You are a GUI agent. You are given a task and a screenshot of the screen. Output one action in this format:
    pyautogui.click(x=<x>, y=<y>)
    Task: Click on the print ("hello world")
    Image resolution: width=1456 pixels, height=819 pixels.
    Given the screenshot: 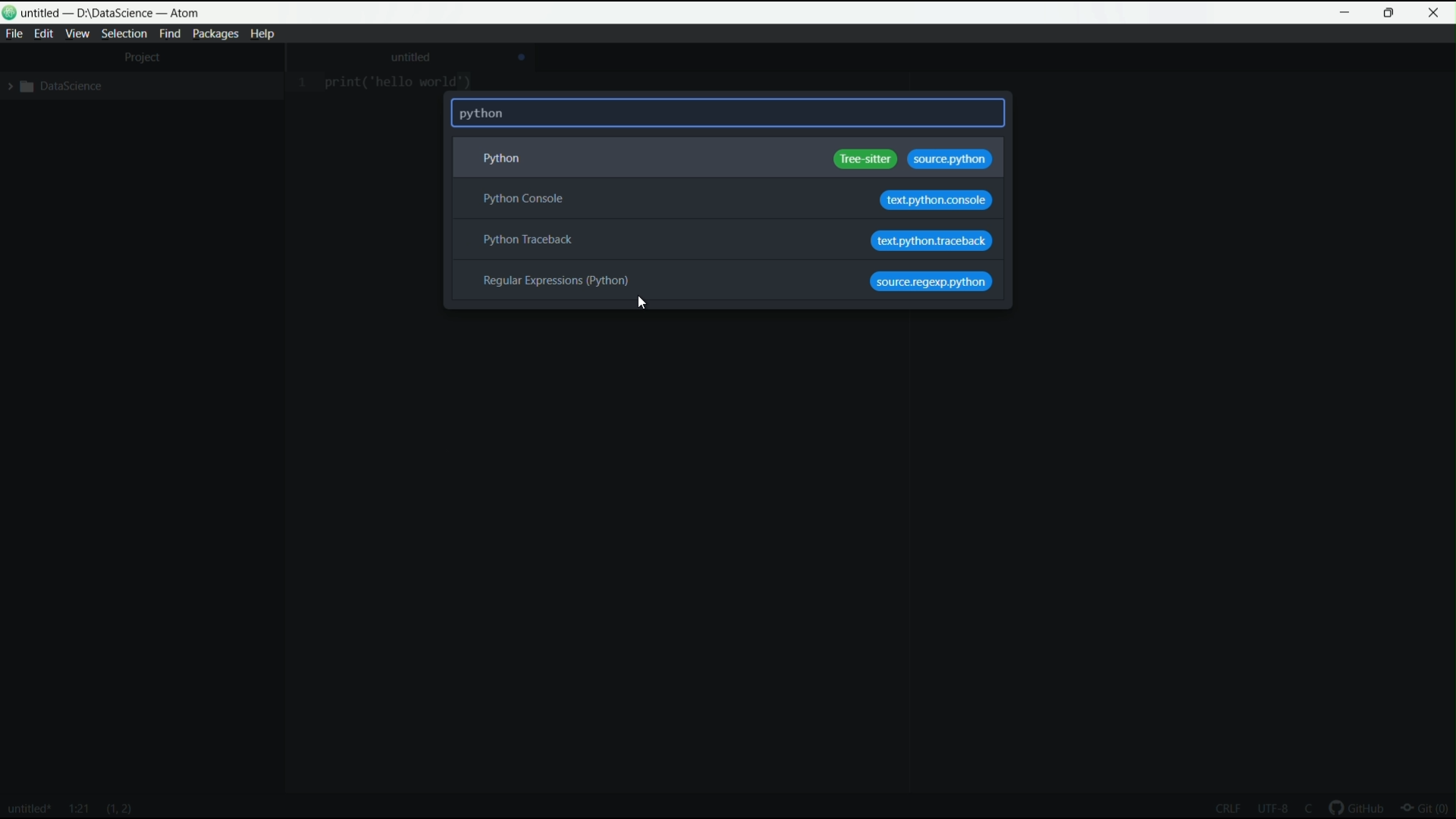 What is the action you would take?
    pyautogui.click(x=402, y=83)
    